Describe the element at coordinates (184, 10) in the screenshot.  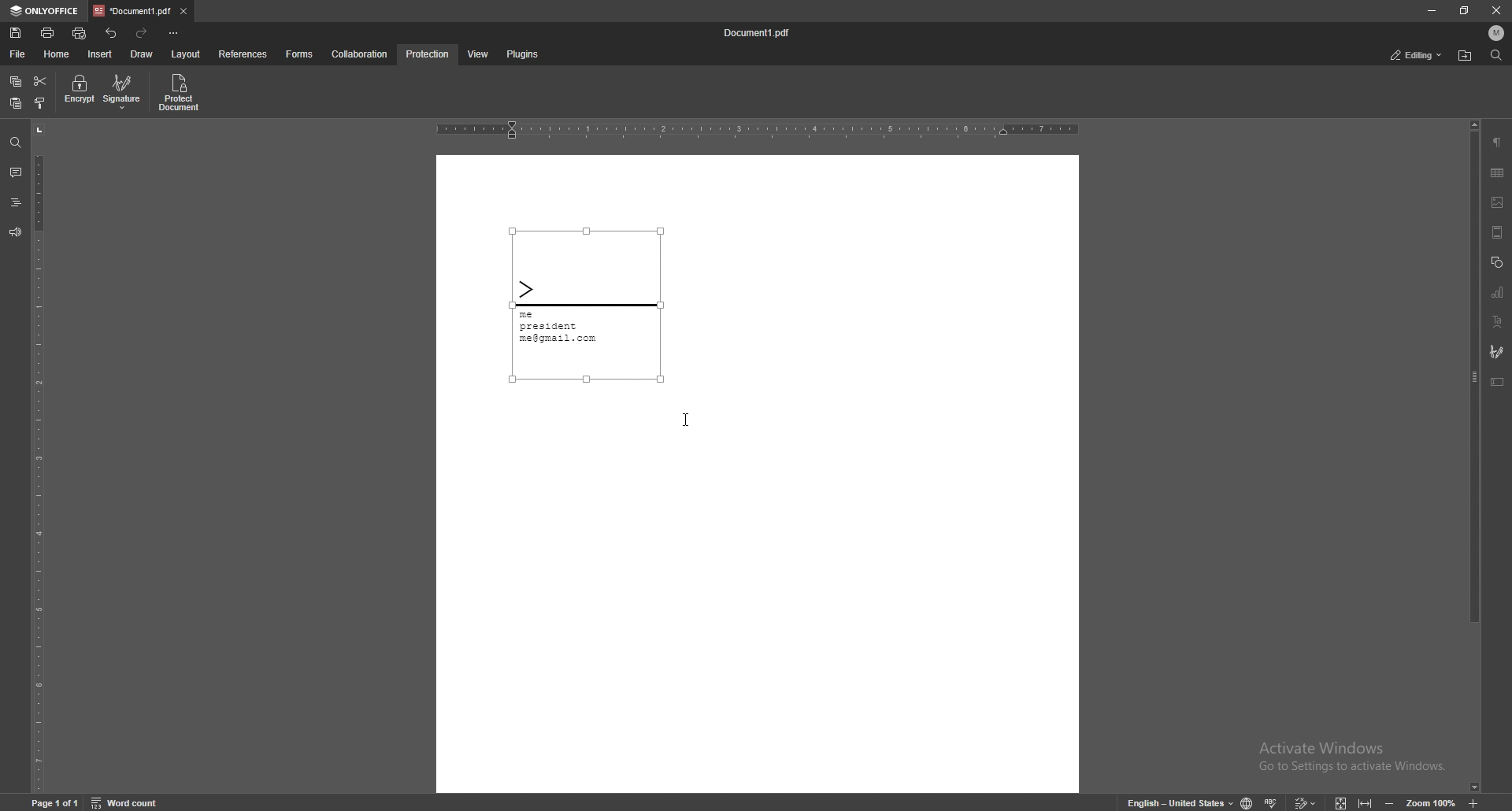
I see `close tab` at that location.